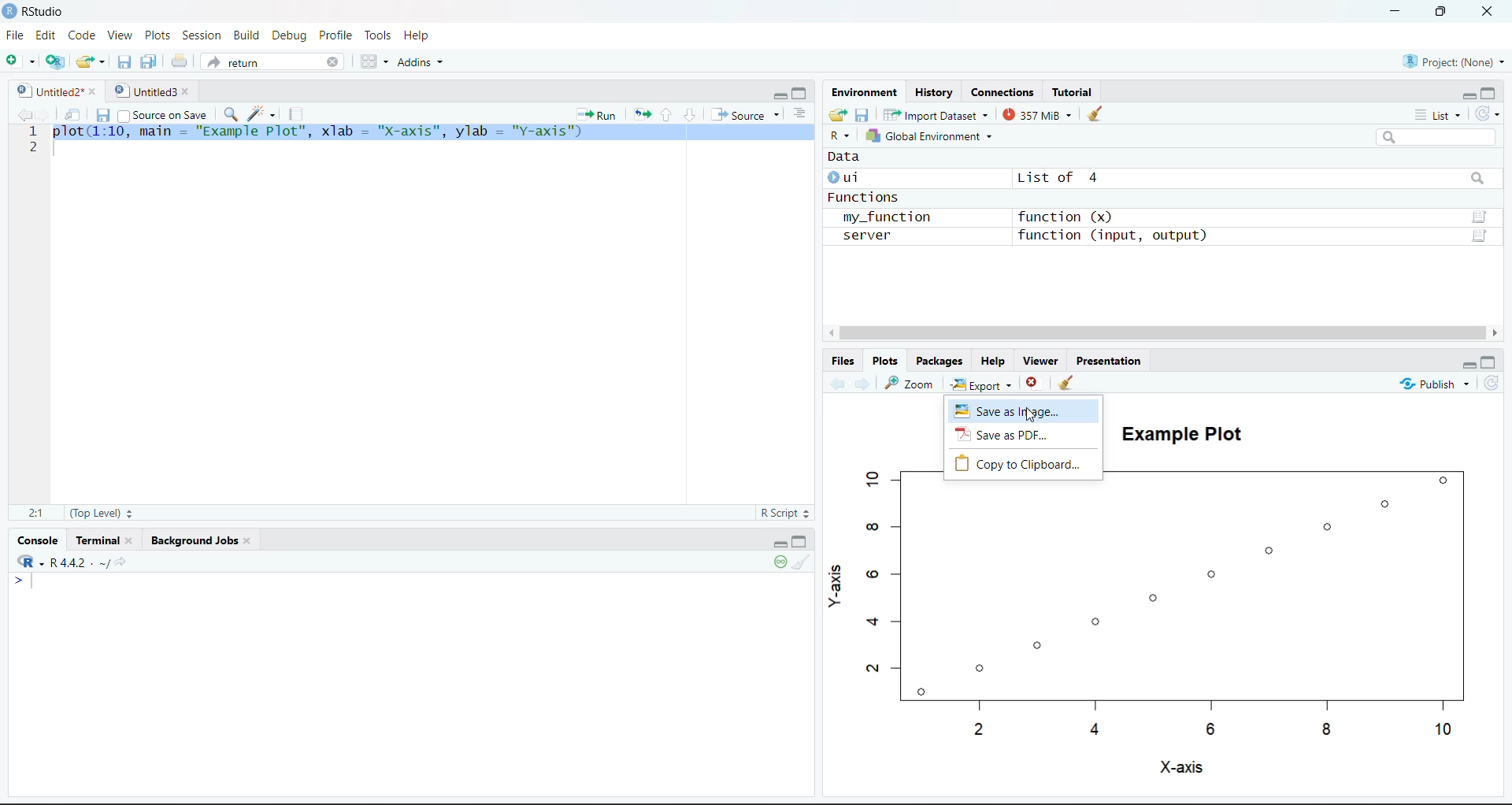 Image resolution: width=1512 pixels, height=805 pixels. What do you see at coordinates (942, 361) in the screenshot?
I see `Packages` at bounding box center [942, 361].